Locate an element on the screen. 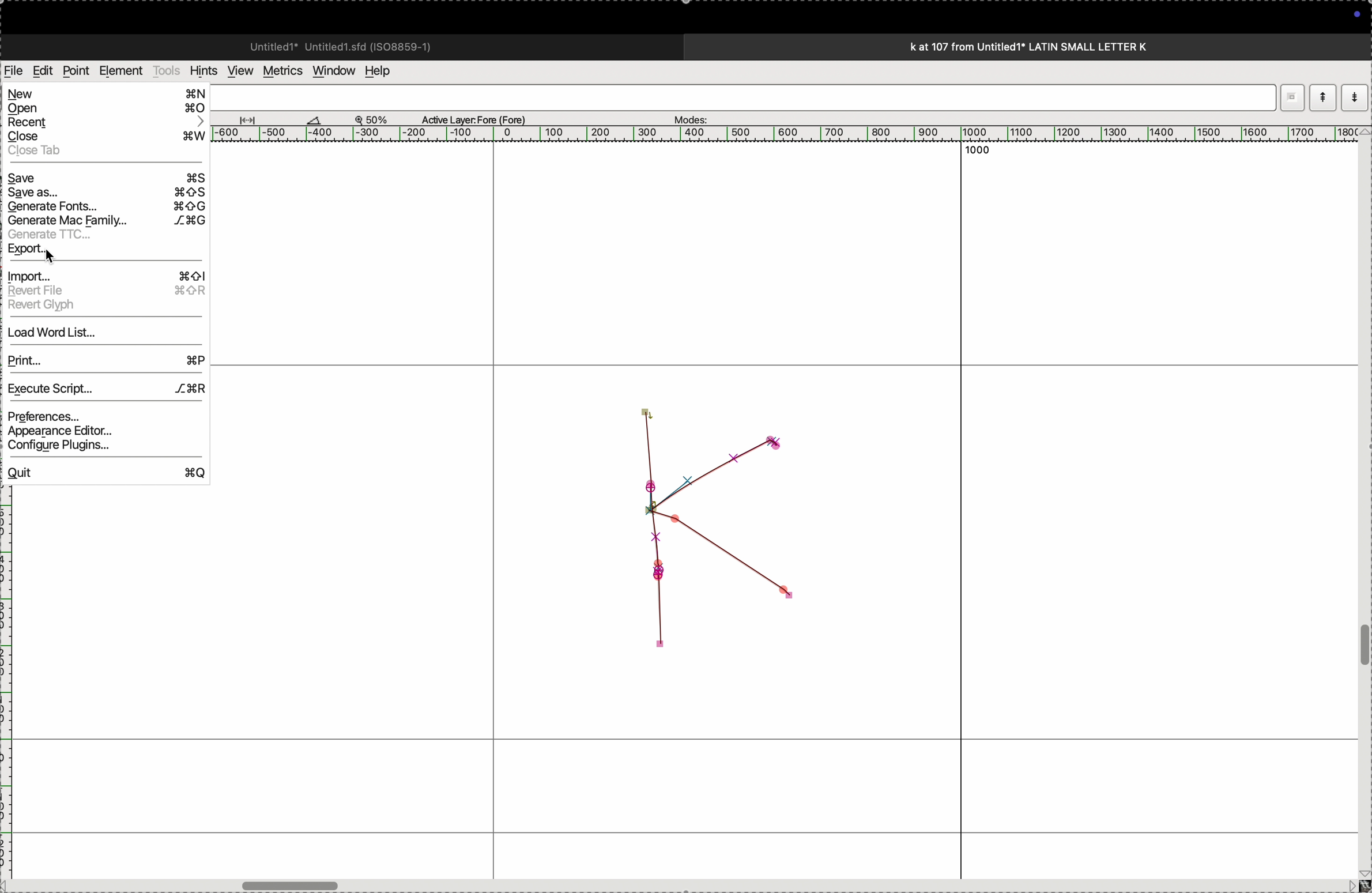 The image size is (1372, 893). zoom is located at coordinates (377, 119).